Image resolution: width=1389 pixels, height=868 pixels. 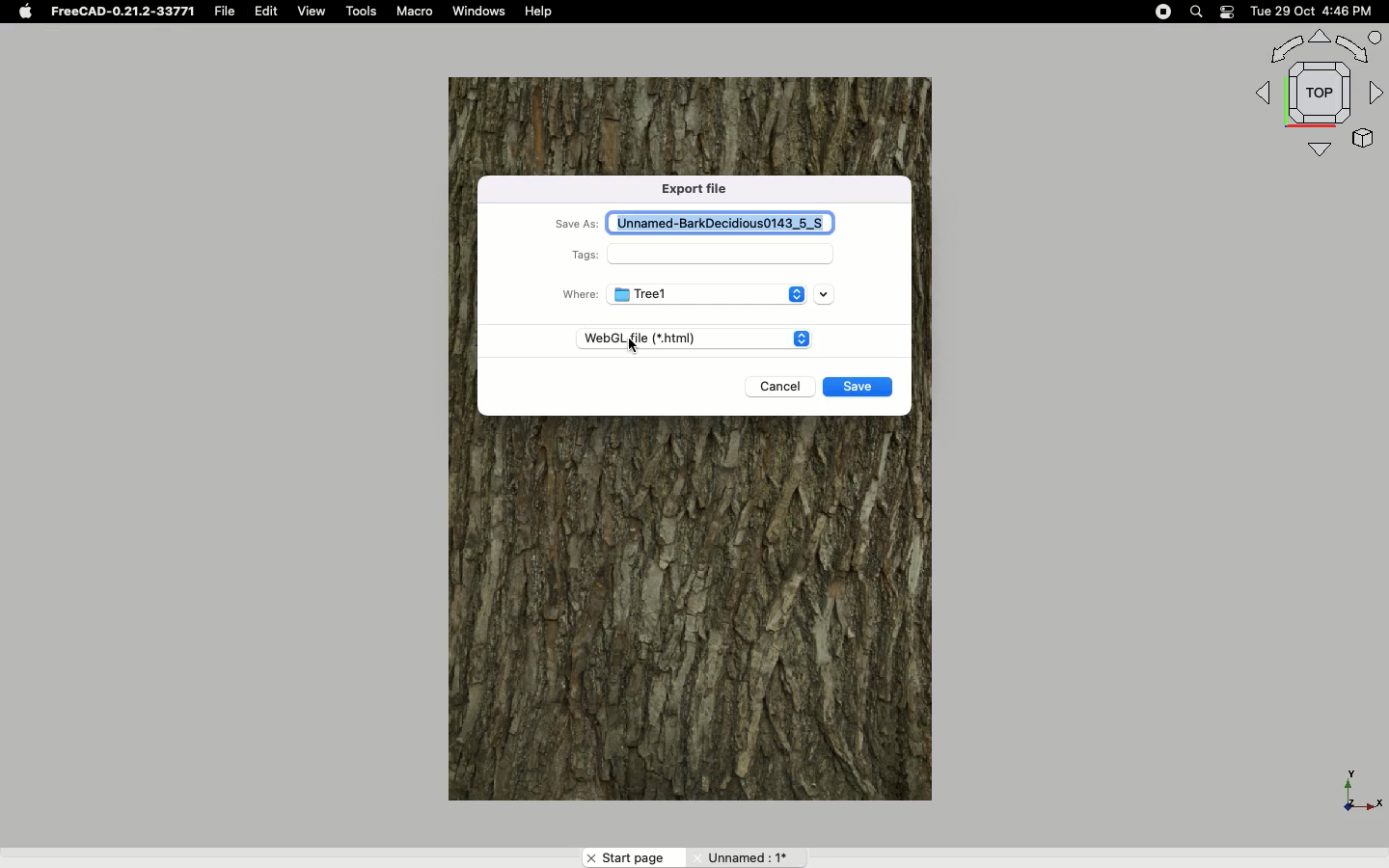 What do you see at coordinates (694, 338) in the screenshot?
I see `WebGL file (*.html)` at bounding box center [694, 338].